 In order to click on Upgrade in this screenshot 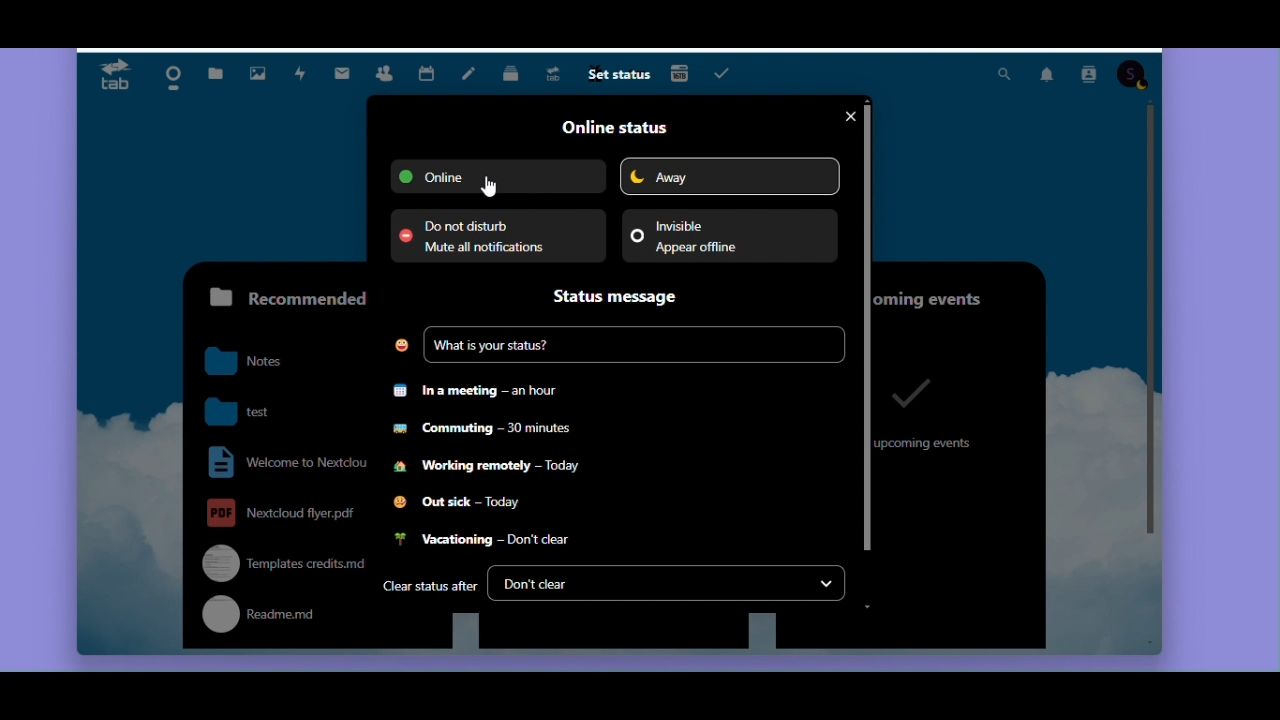, I will do `click(557, 75)`.